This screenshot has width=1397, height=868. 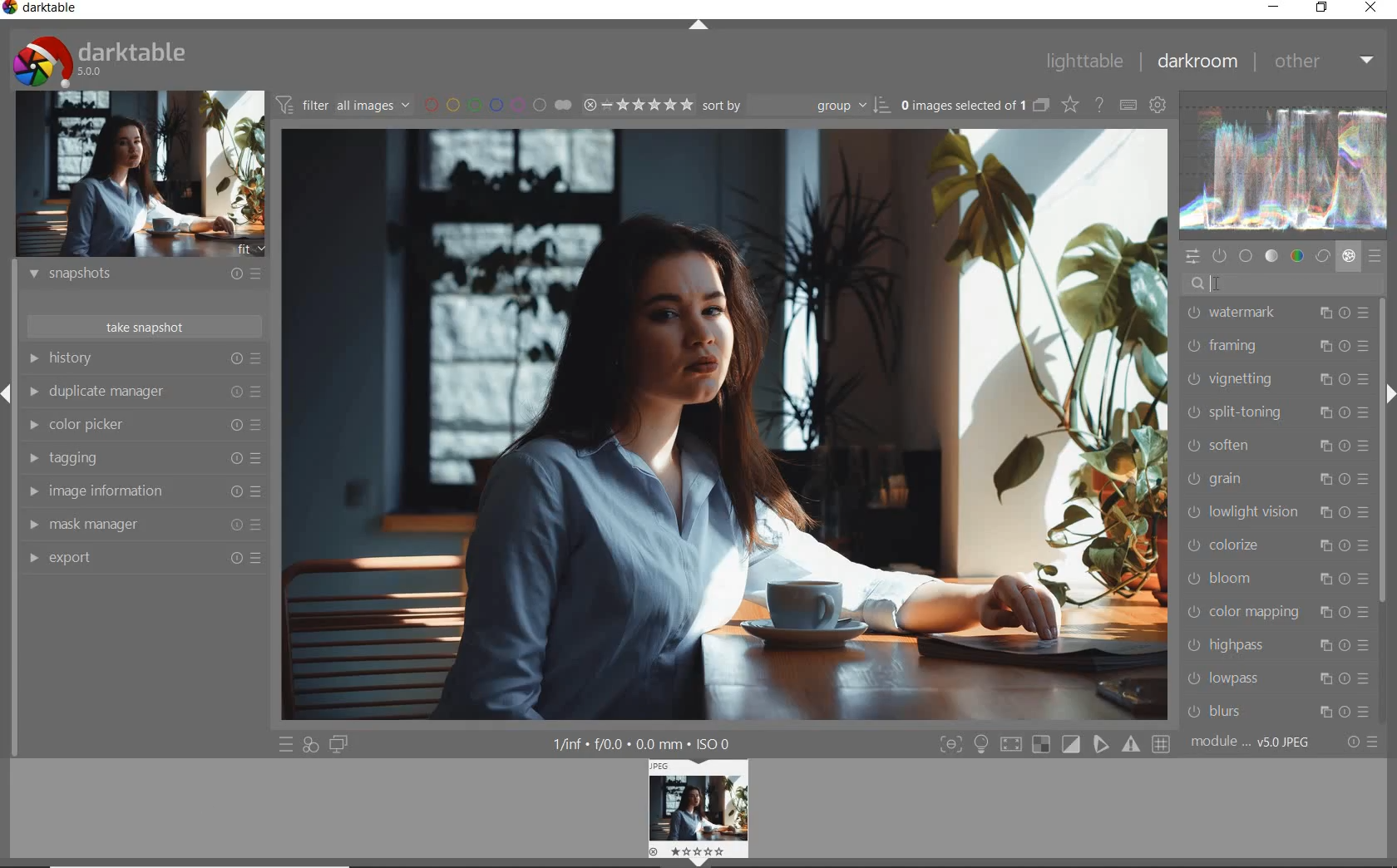 I want to click on blurs, so click(x=1279, y=713).